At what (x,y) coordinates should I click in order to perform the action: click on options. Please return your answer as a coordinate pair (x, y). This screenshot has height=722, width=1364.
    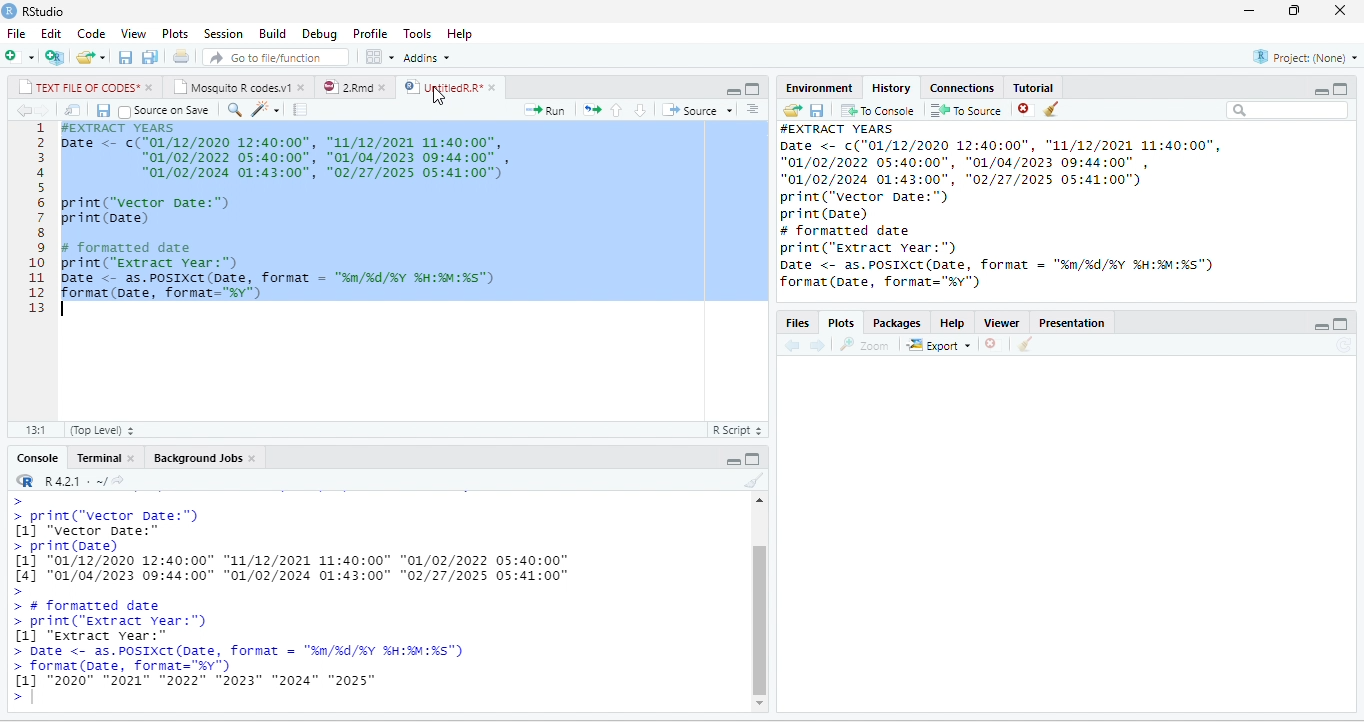
    Looking at the image, I should click on (381, 57).